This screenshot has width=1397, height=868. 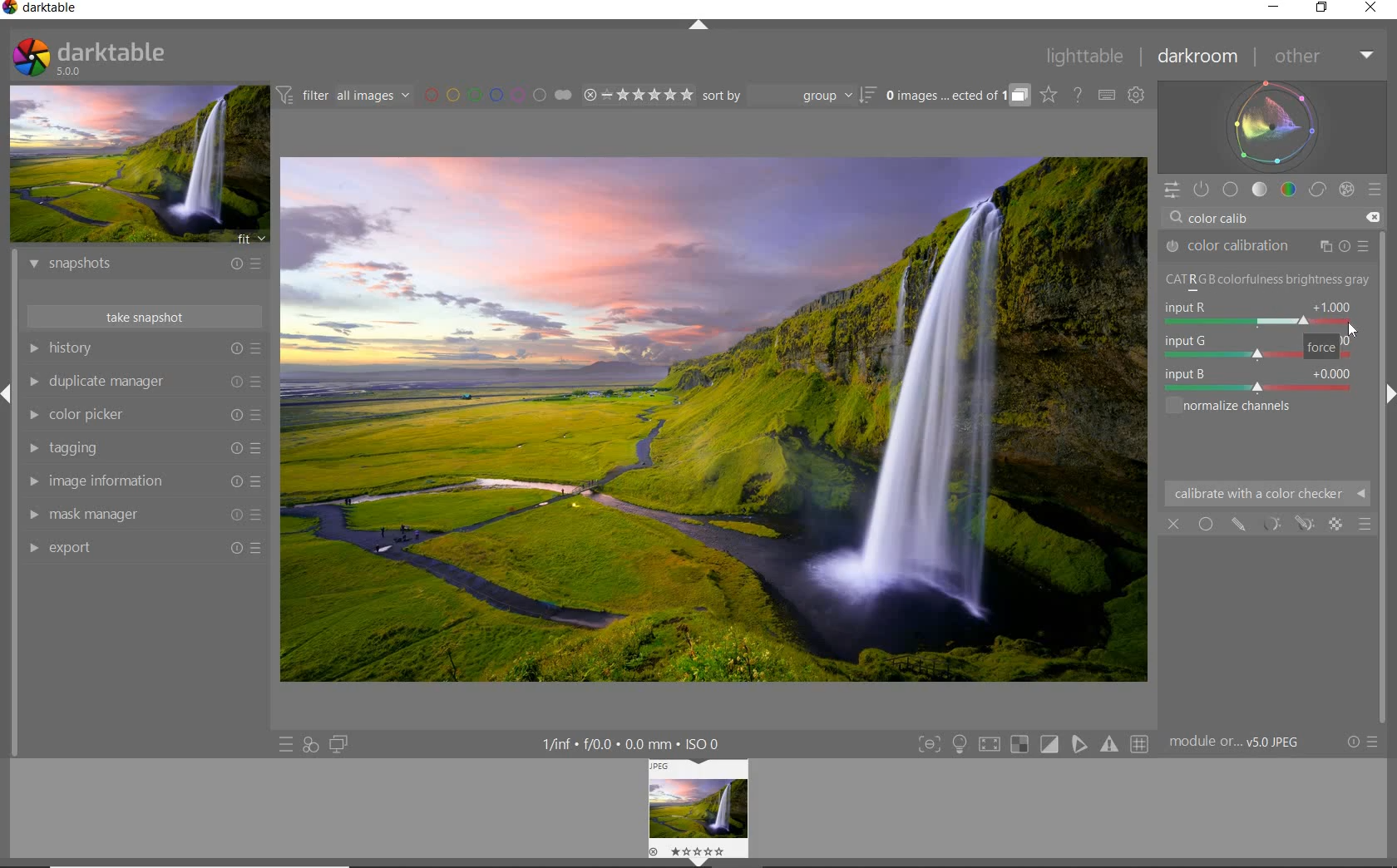 What do you see at coordinates (958, 96) in the screenshot?
I see `EXPAND GROUPED IMAGES` at bounding box center [958, 96].